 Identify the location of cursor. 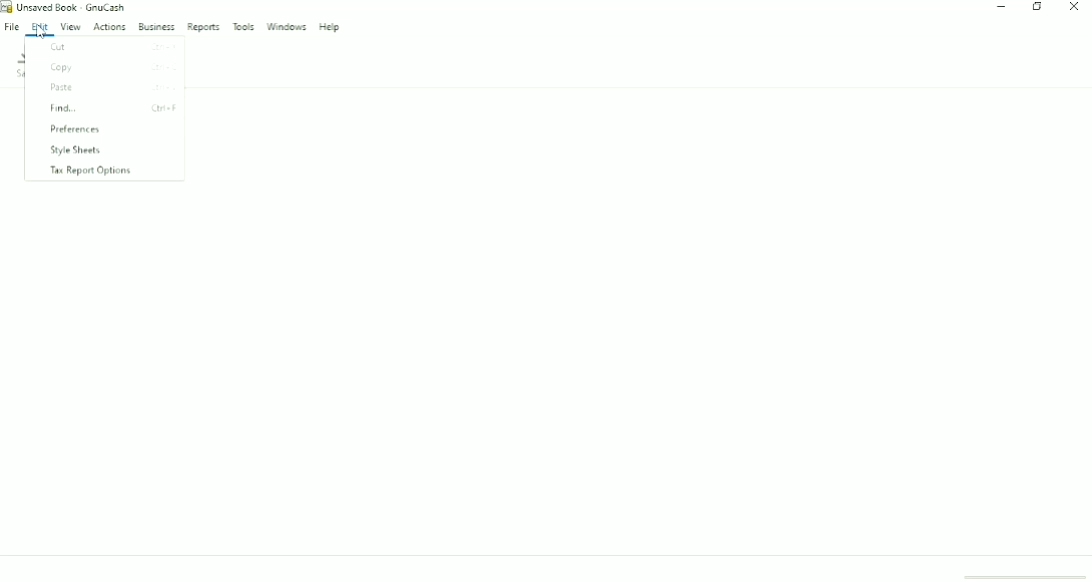
(42, 31).